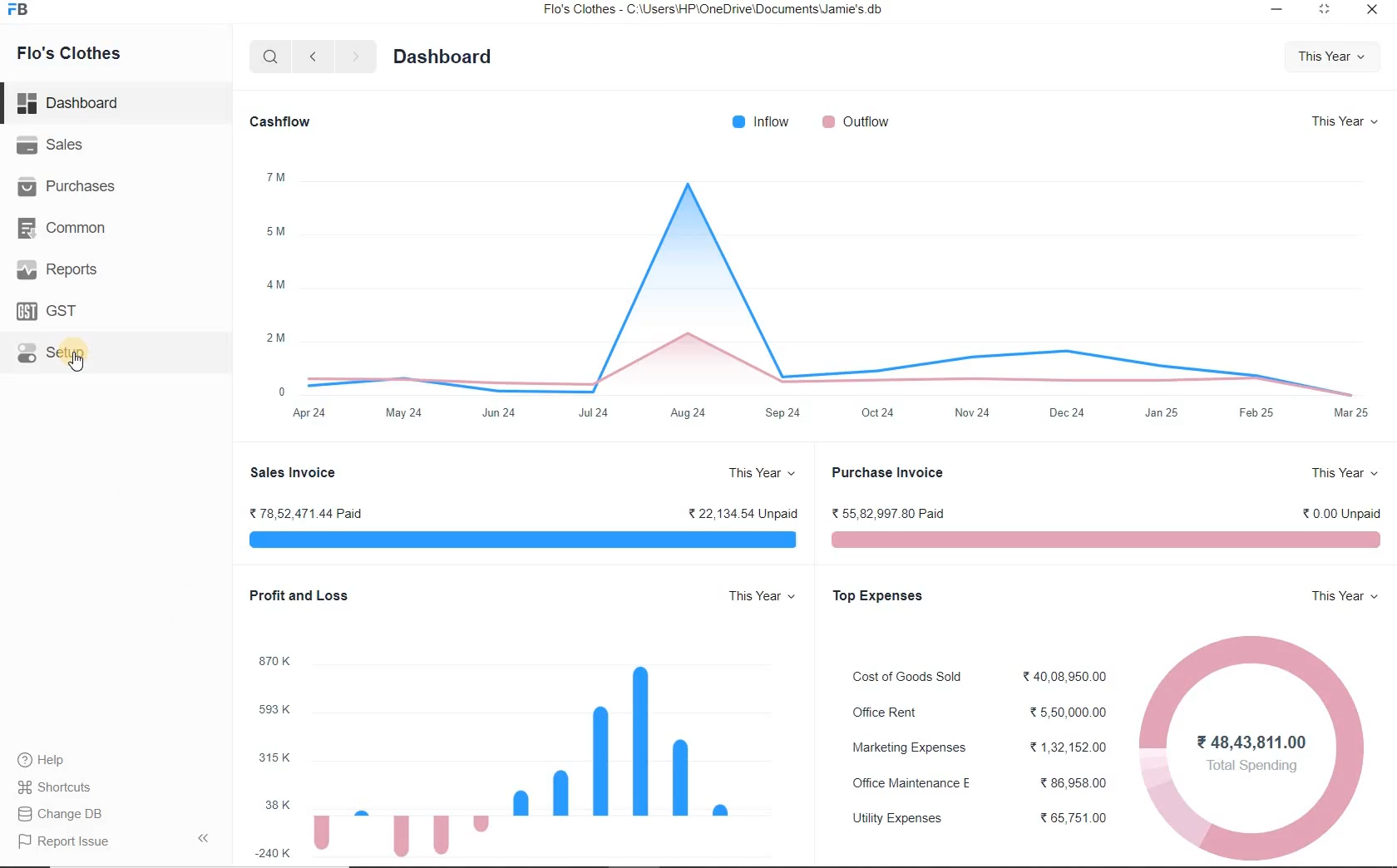  Describe the element at coordinates (65, 227) in the screenshot. I see `Common` at that location.